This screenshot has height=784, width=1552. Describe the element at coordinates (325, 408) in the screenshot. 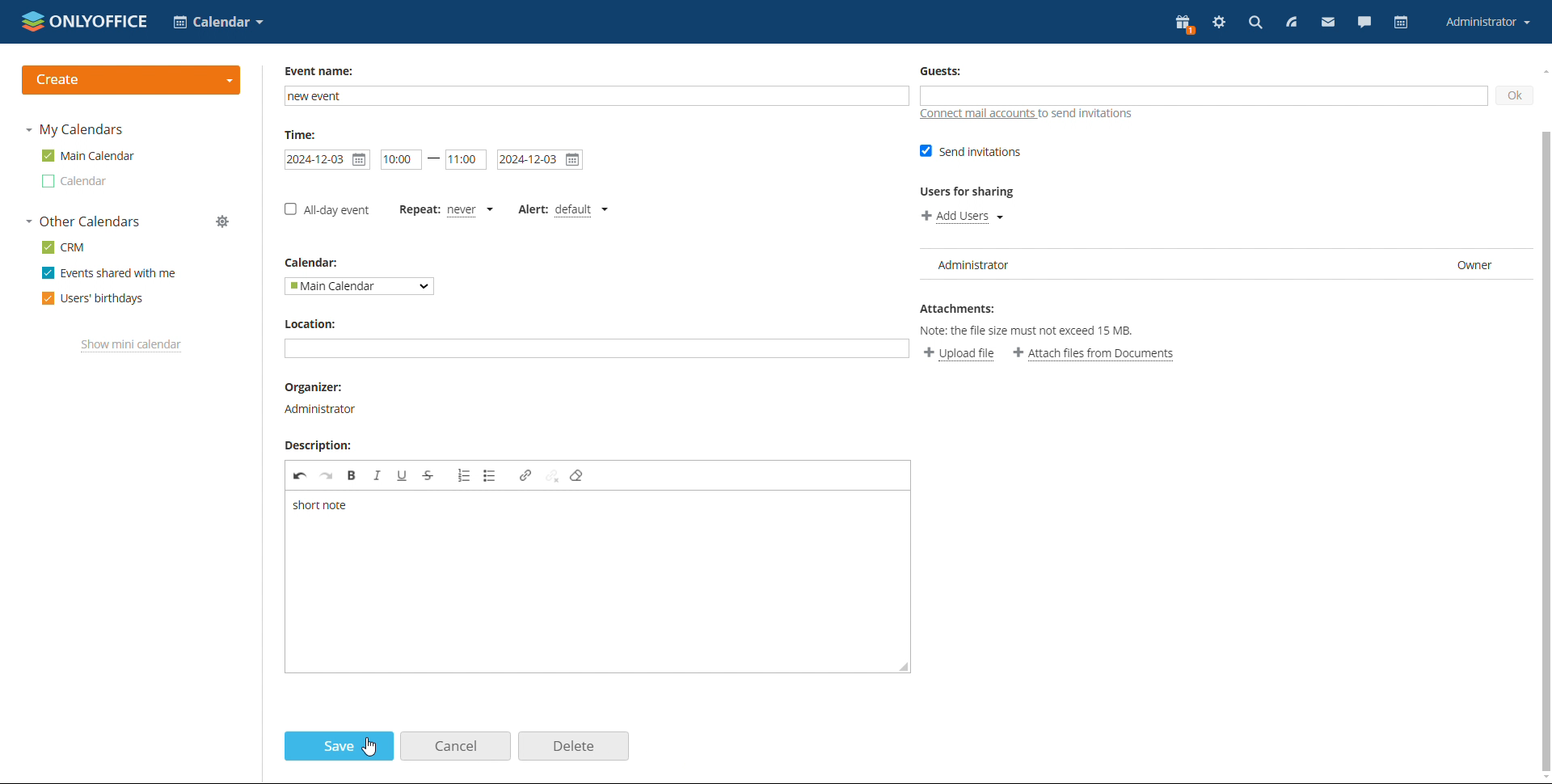

I see `Administrator` at that location.